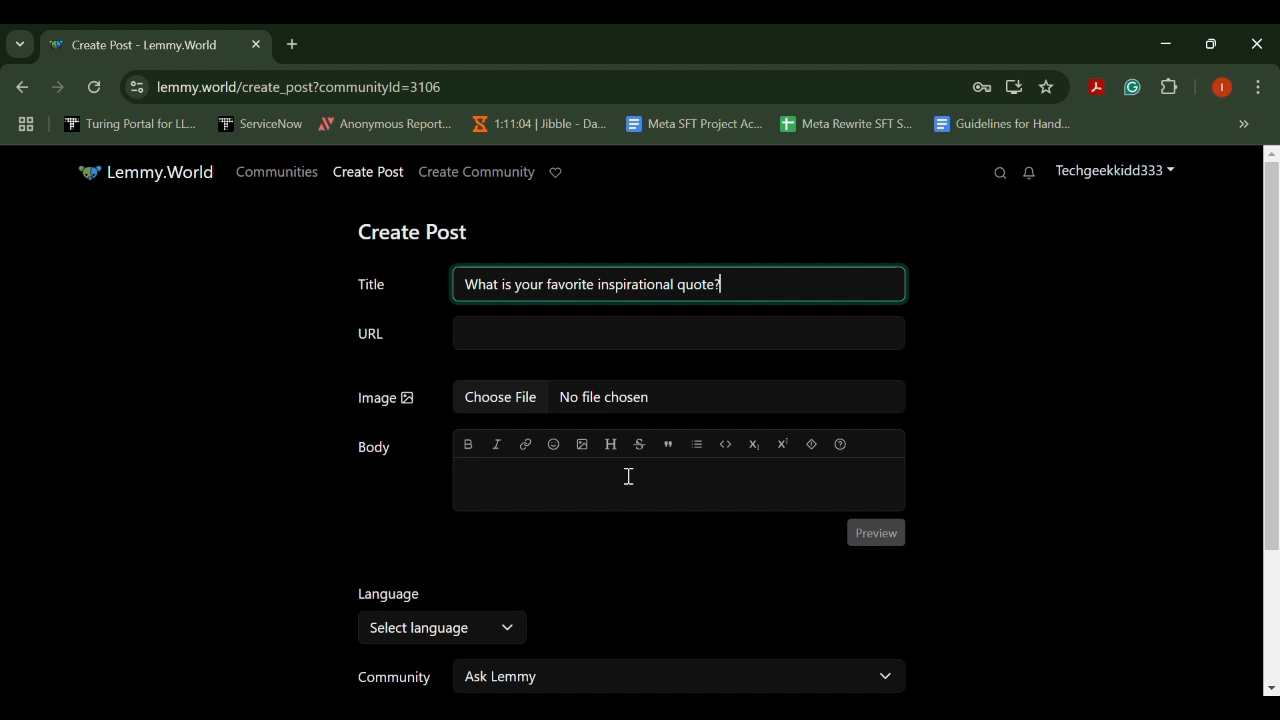 This screenshot has height=720, width=1280. I want to click on code , so click(726, 442).